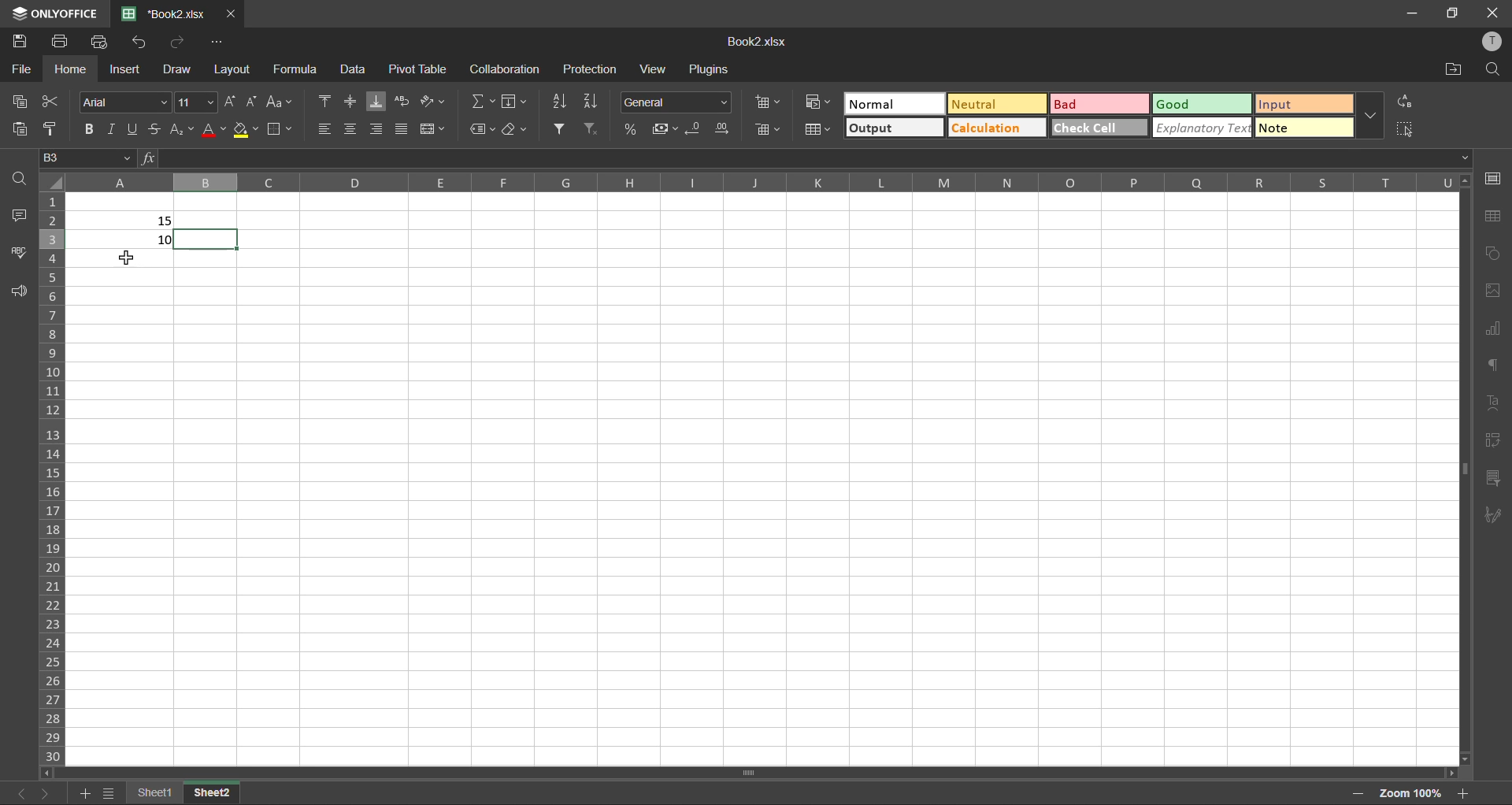 This screenshot has width=1512, height=805. What do you see at coordinates (1464, 466) in the screenshot?
I see `scrollbar` at bounding box center [1464, 466].